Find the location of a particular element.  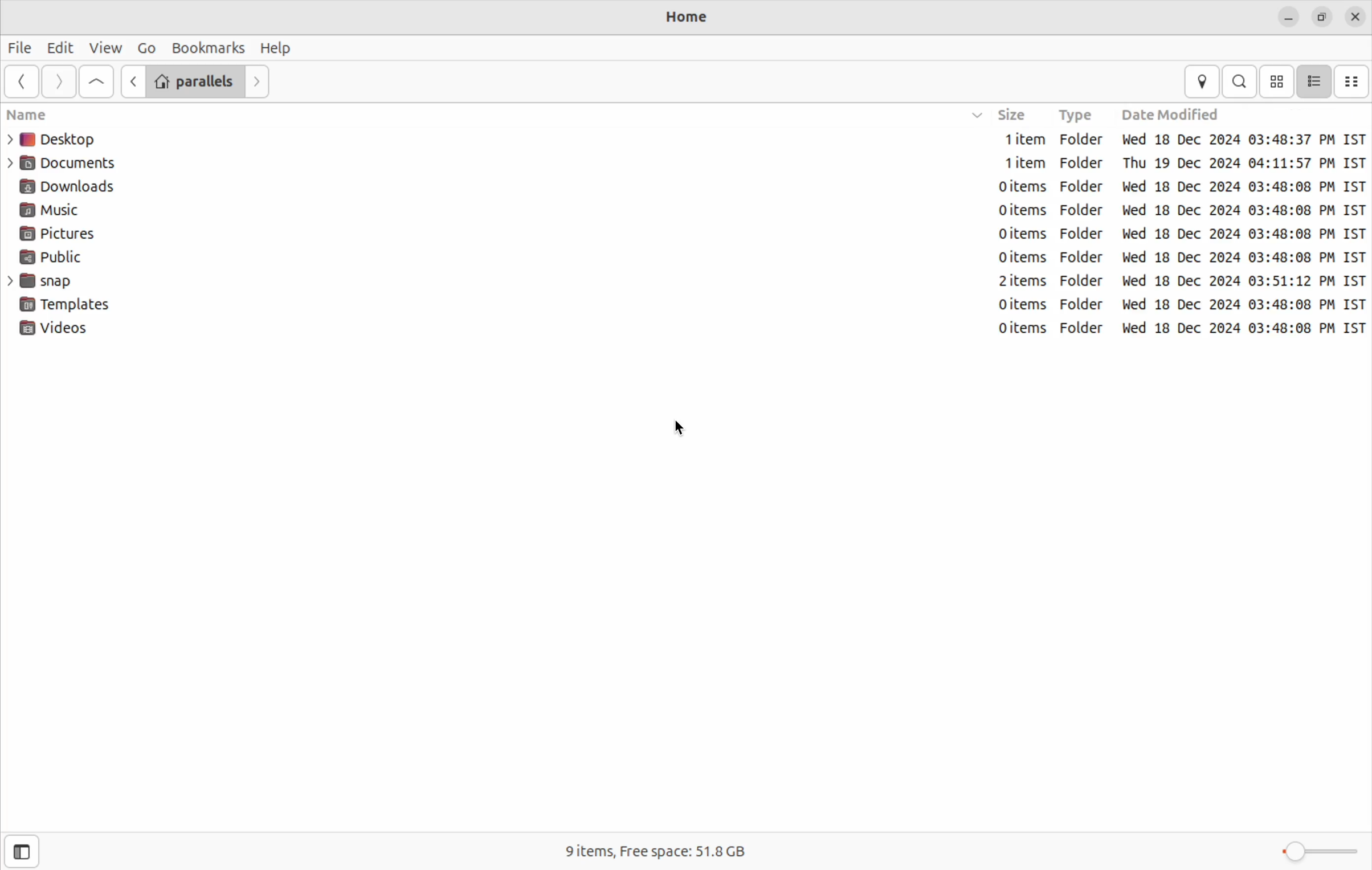

Music is located at coordinates (66, 210).